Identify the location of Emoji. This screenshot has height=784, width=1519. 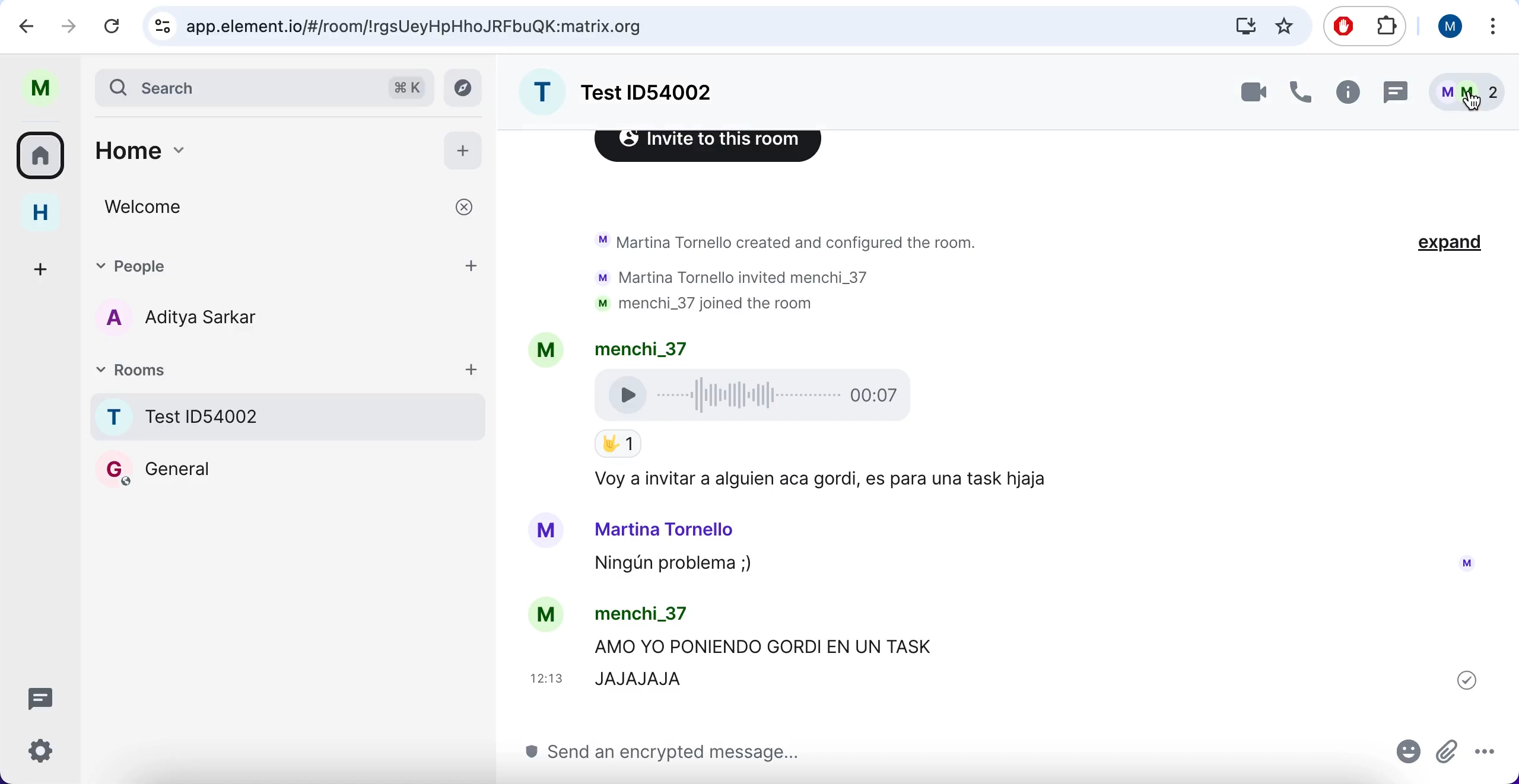
(616, 441).